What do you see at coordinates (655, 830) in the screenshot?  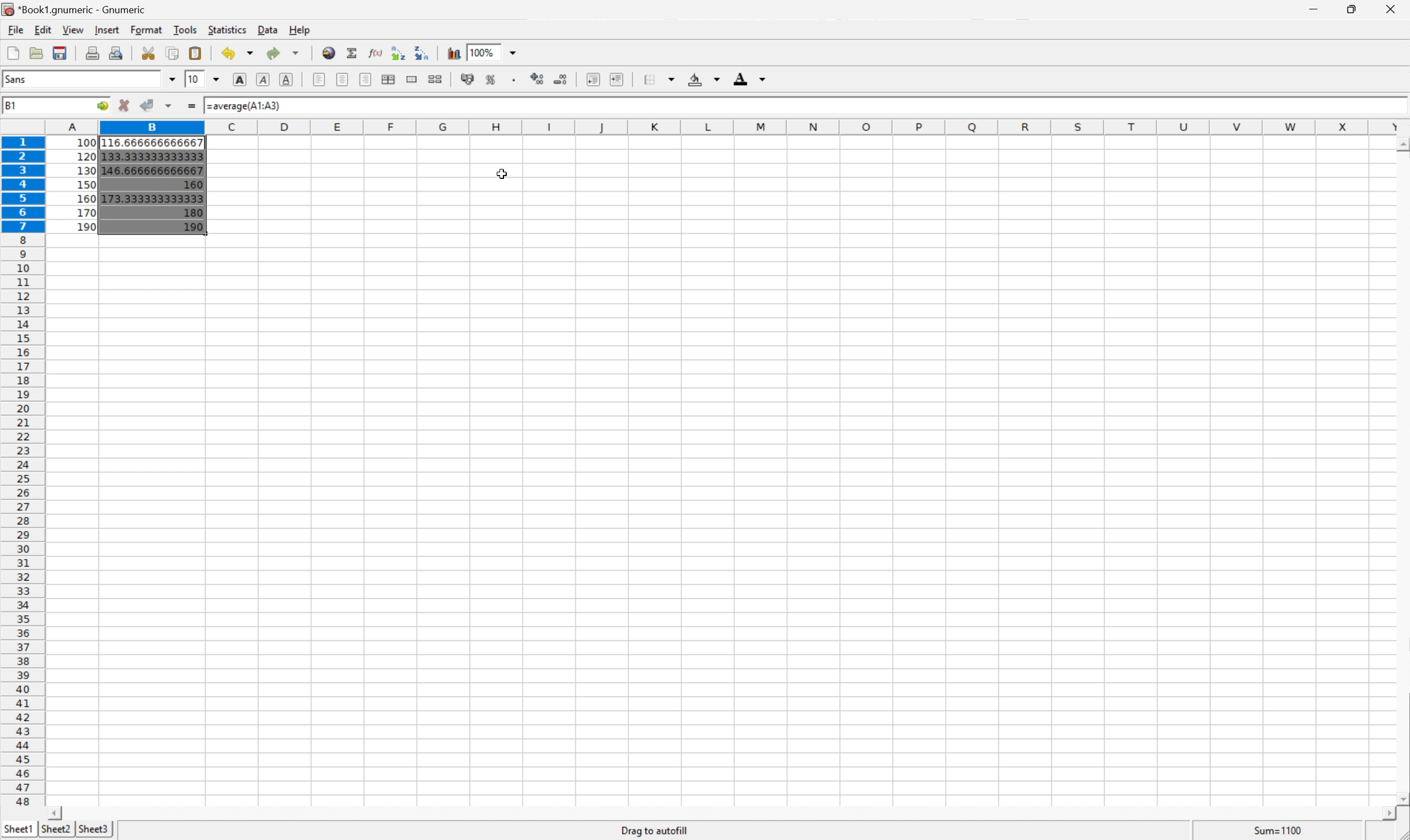 I see `Drag to autofill` at bounding box center [655, 830].